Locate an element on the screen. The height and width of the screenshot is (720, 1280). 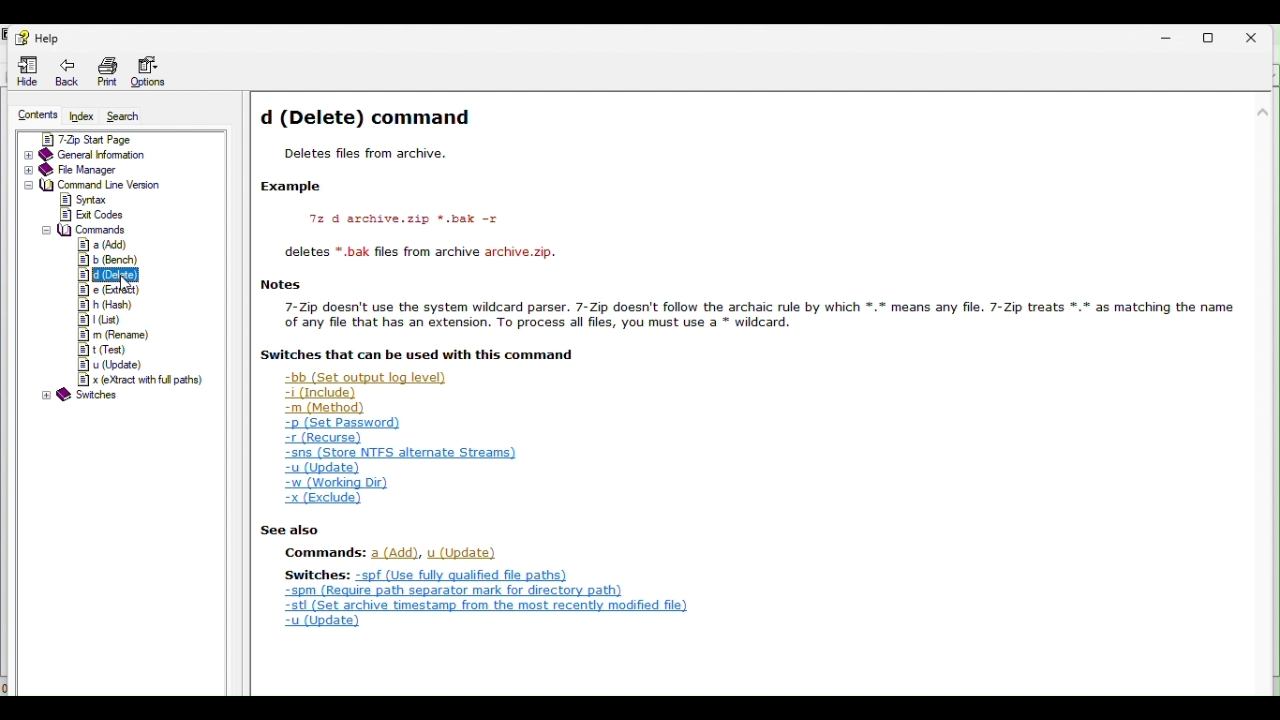
General information is located at coordinates (100, 155).